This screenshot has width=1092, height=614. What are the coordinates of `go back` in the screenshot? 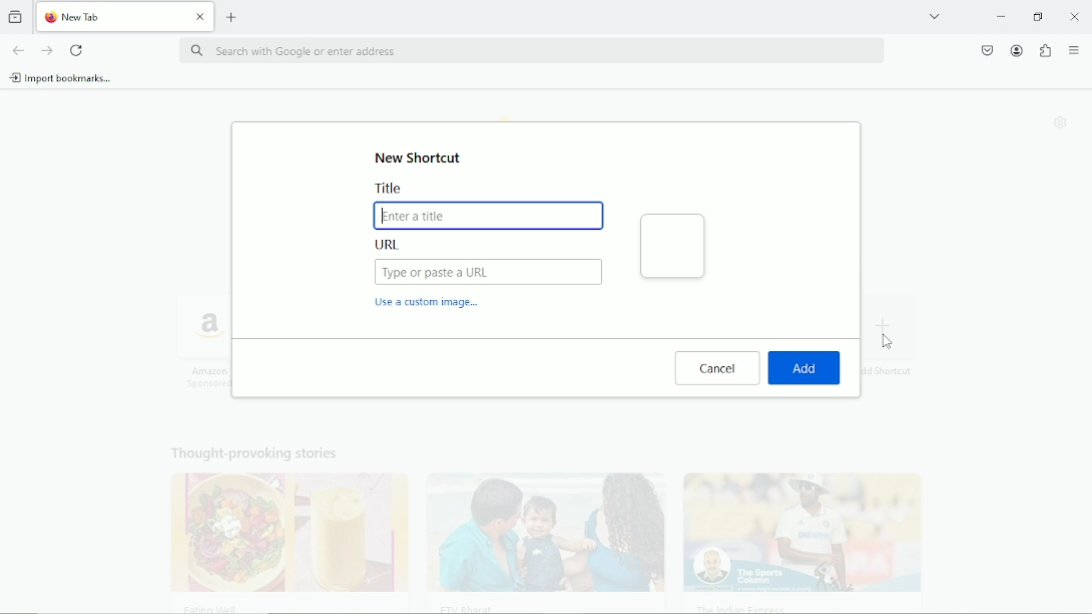 It's located at (17, 49).